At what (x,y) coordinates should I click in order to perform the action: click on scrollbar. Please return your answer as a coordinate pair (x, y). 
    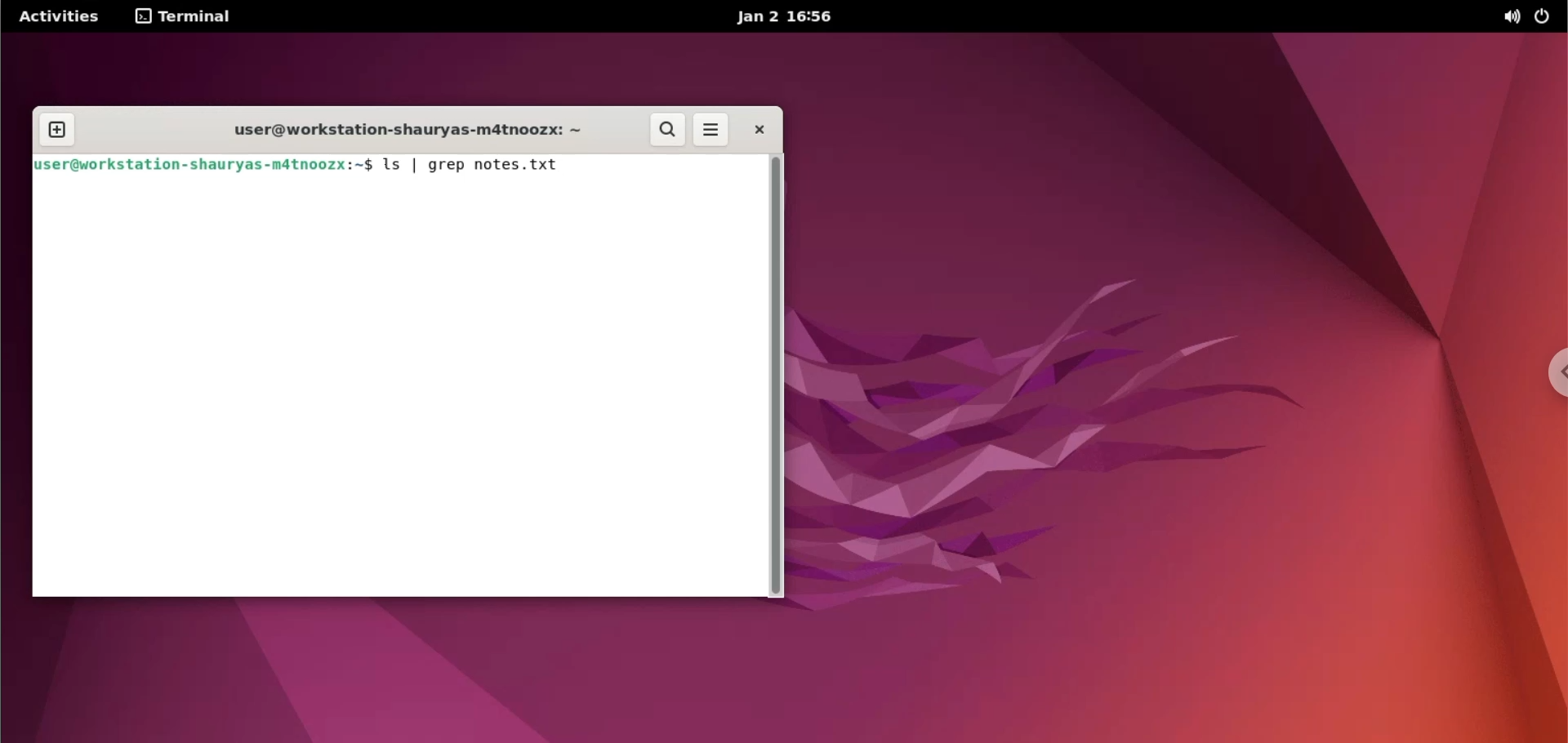
    Looking at the image, I should click on (777, 374).